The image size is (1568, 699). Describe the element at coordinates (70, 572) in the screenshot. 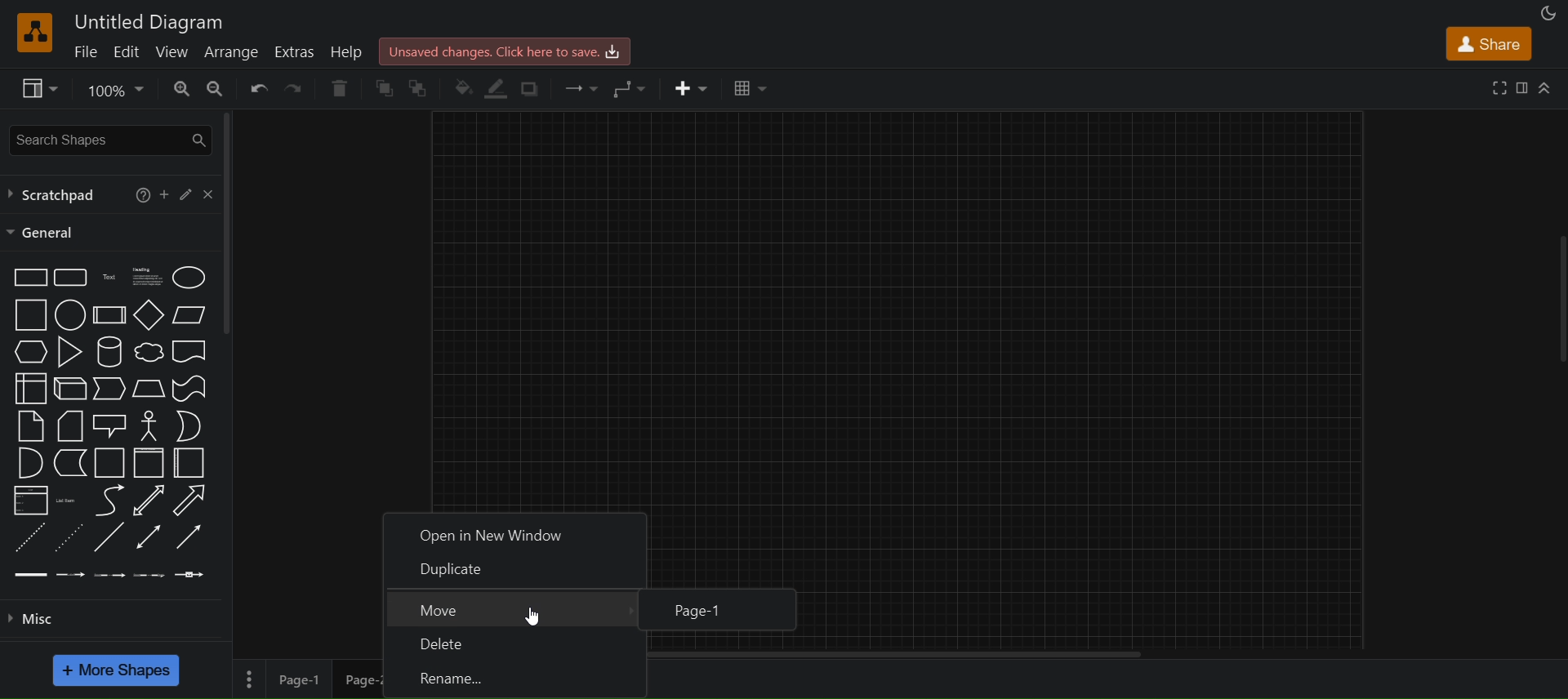

I see `connector with 1 label` at that location.